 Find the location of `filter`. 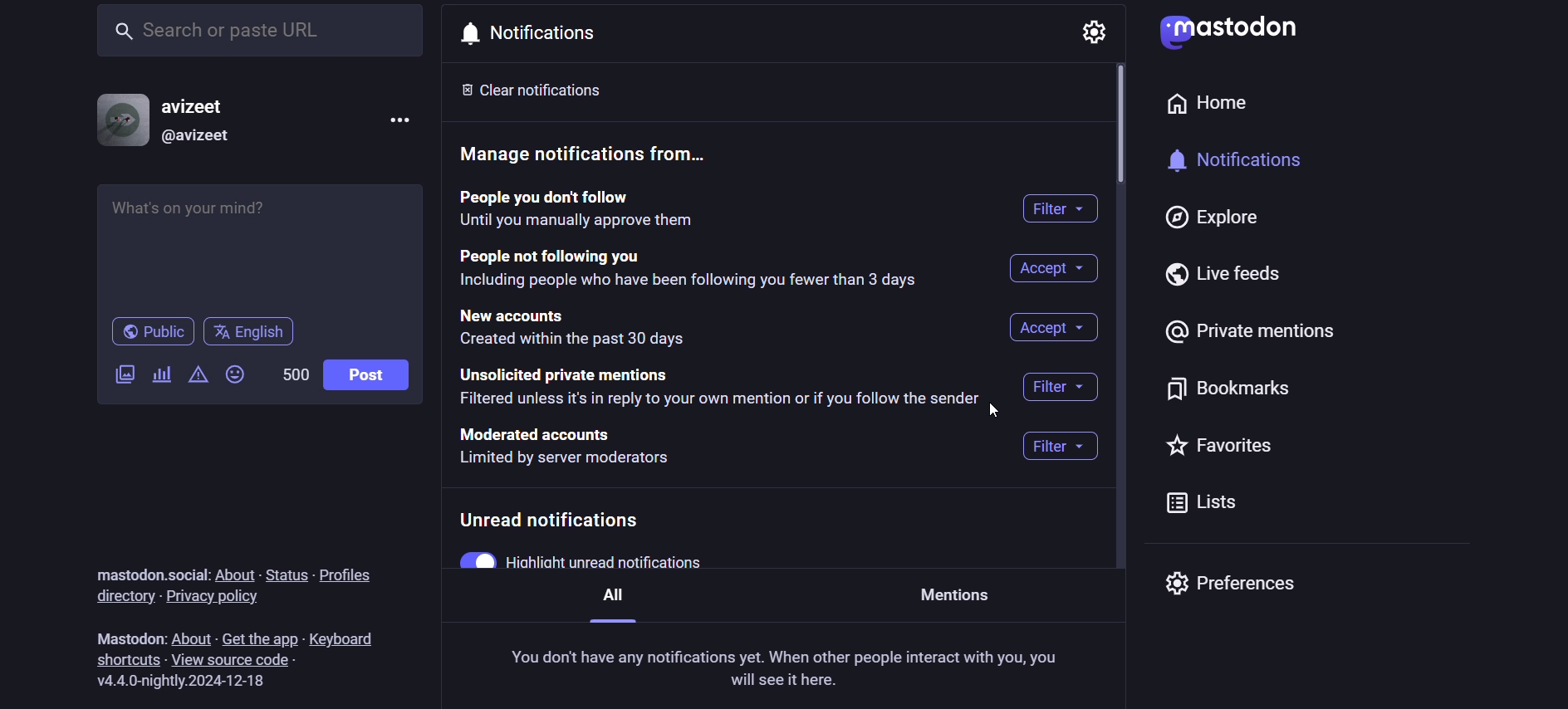

filter is located at coordinates (1056, 208).